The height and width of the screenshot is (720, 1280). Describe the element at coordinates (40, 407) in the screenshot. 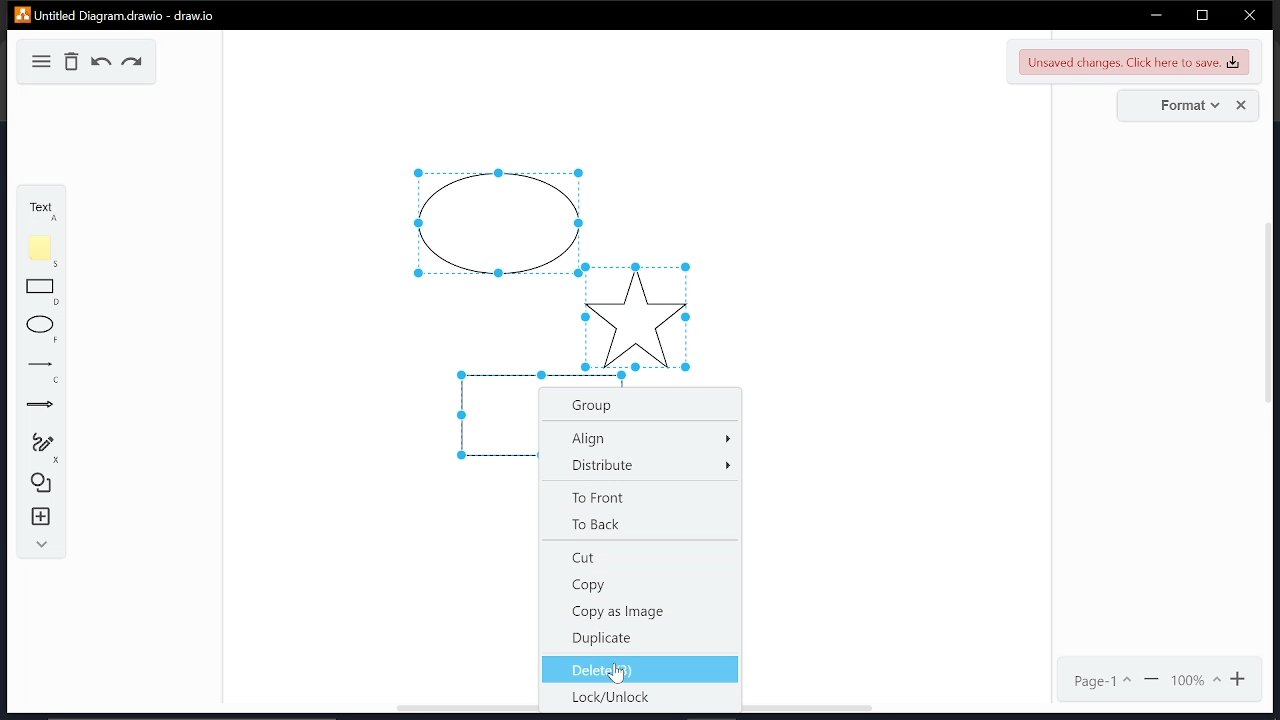

I see `arrows` at that location.